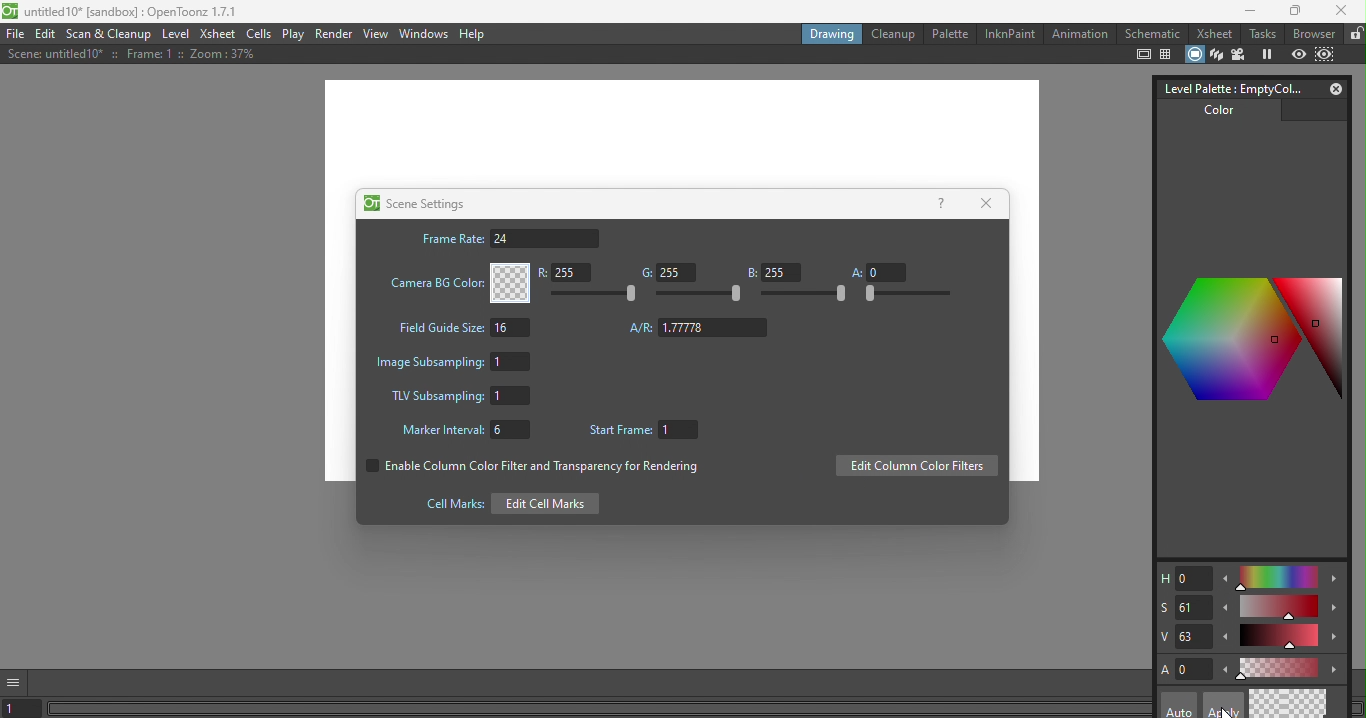  I want to click on Minimize, so click(1244, 13).